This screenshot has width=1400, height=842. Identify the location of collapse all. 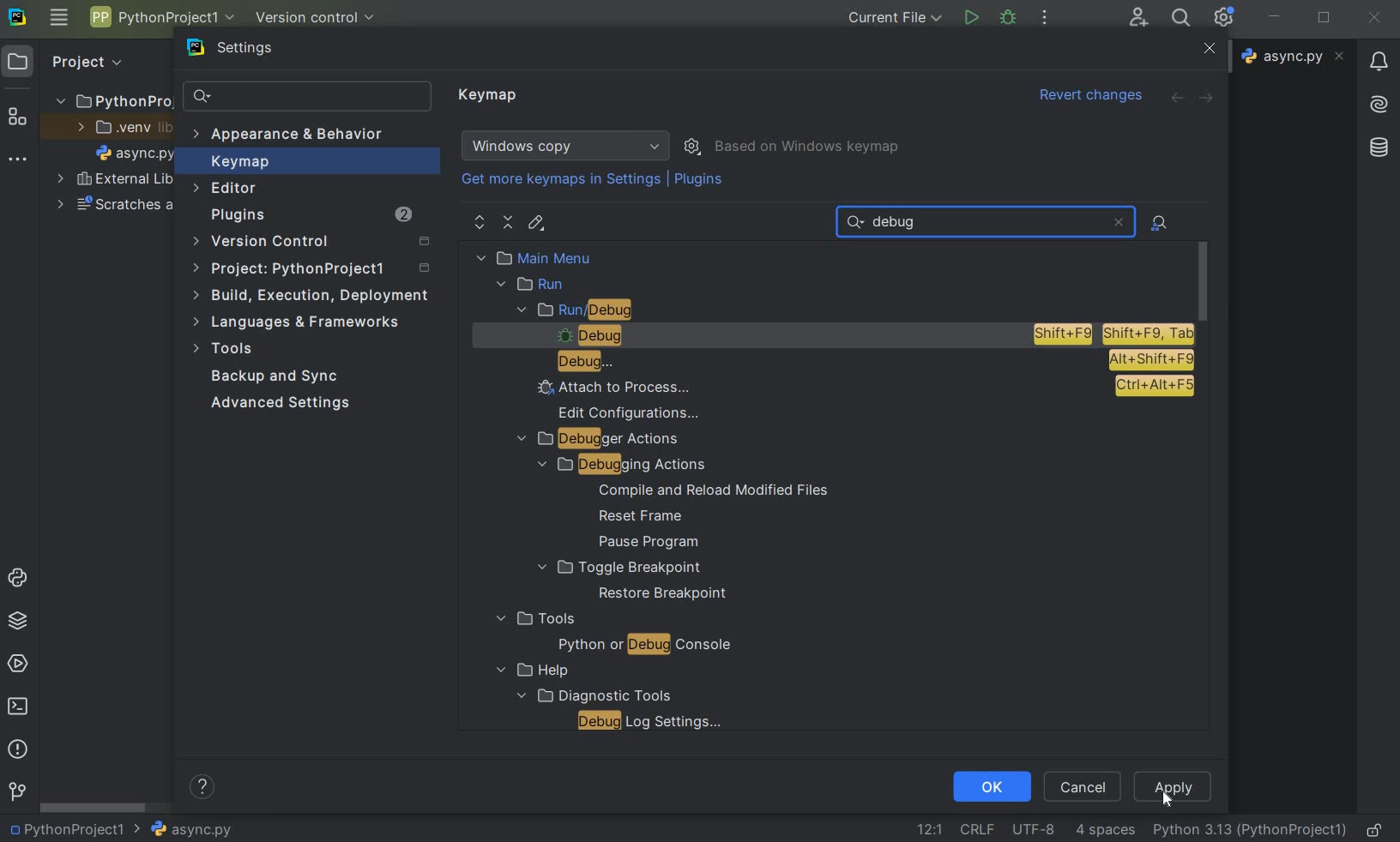
(509, 223).